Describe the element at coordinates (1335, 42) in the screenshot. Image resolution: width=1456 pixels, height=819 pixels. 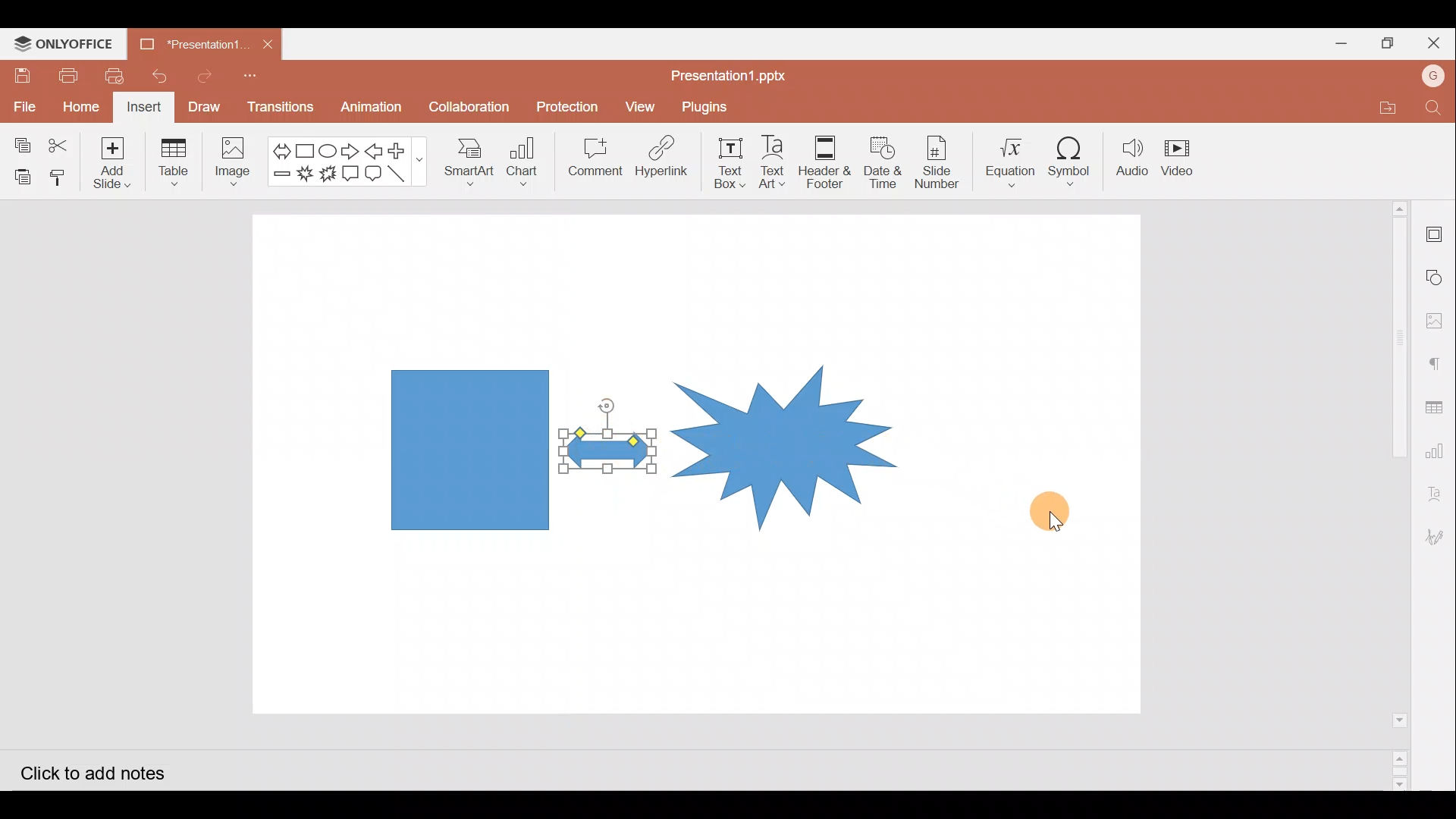
I see `Minimize` at that location.